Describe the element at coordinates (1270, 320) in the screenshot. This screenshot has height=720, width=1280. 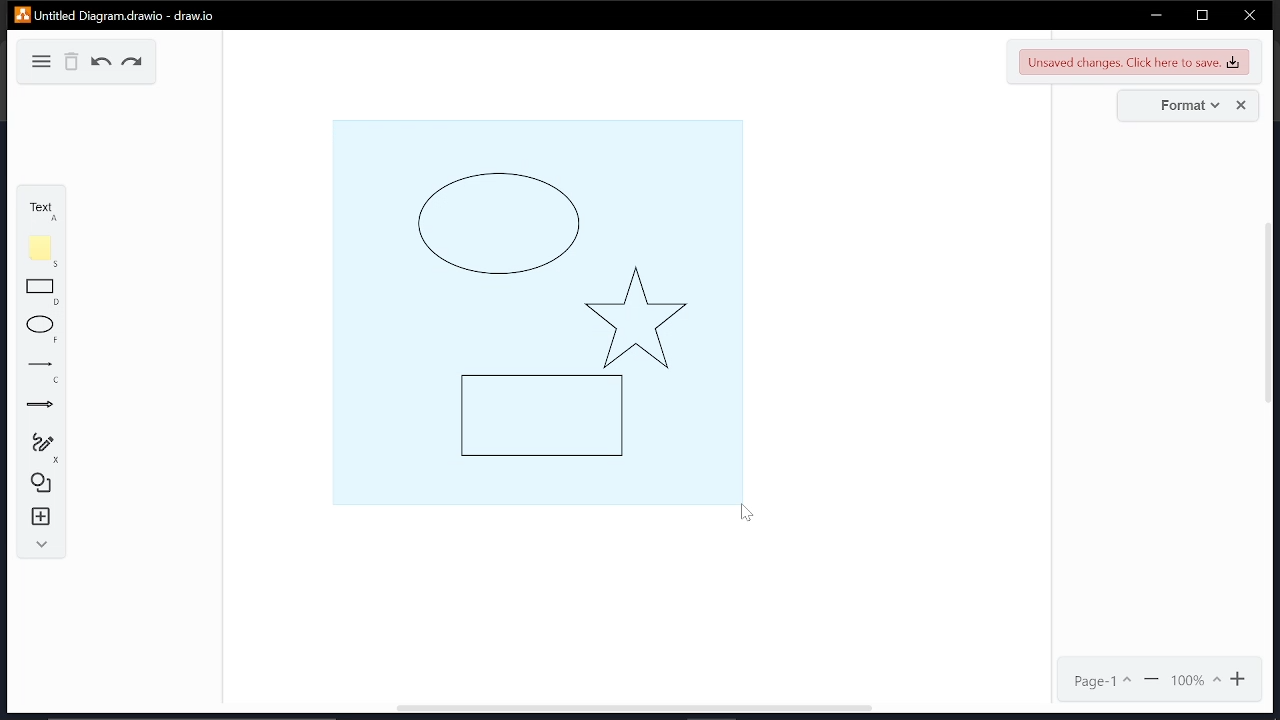
I see `vertical scrollbar` at that location.